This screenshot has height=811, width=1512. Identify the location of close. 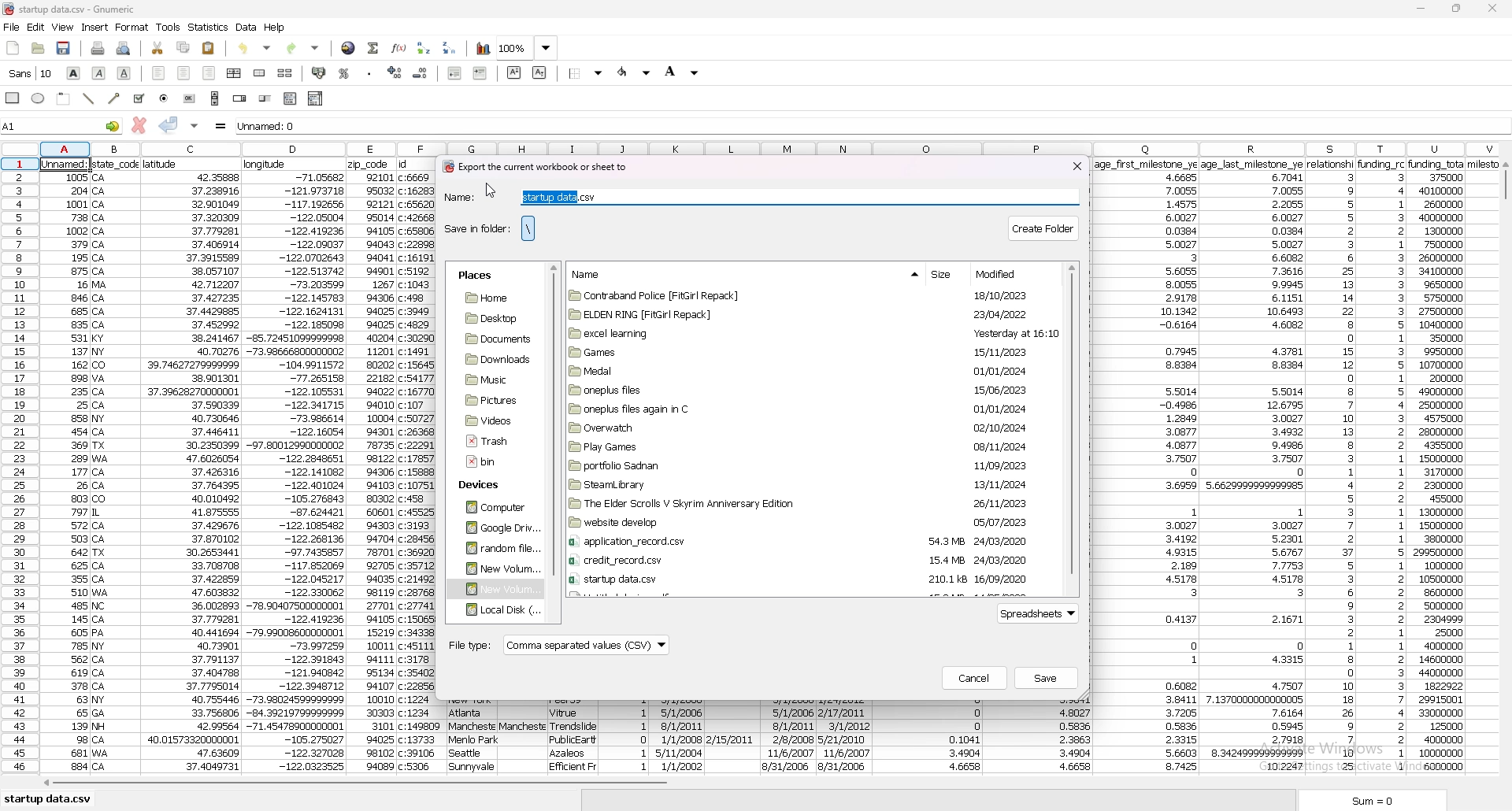
(1077, 165).